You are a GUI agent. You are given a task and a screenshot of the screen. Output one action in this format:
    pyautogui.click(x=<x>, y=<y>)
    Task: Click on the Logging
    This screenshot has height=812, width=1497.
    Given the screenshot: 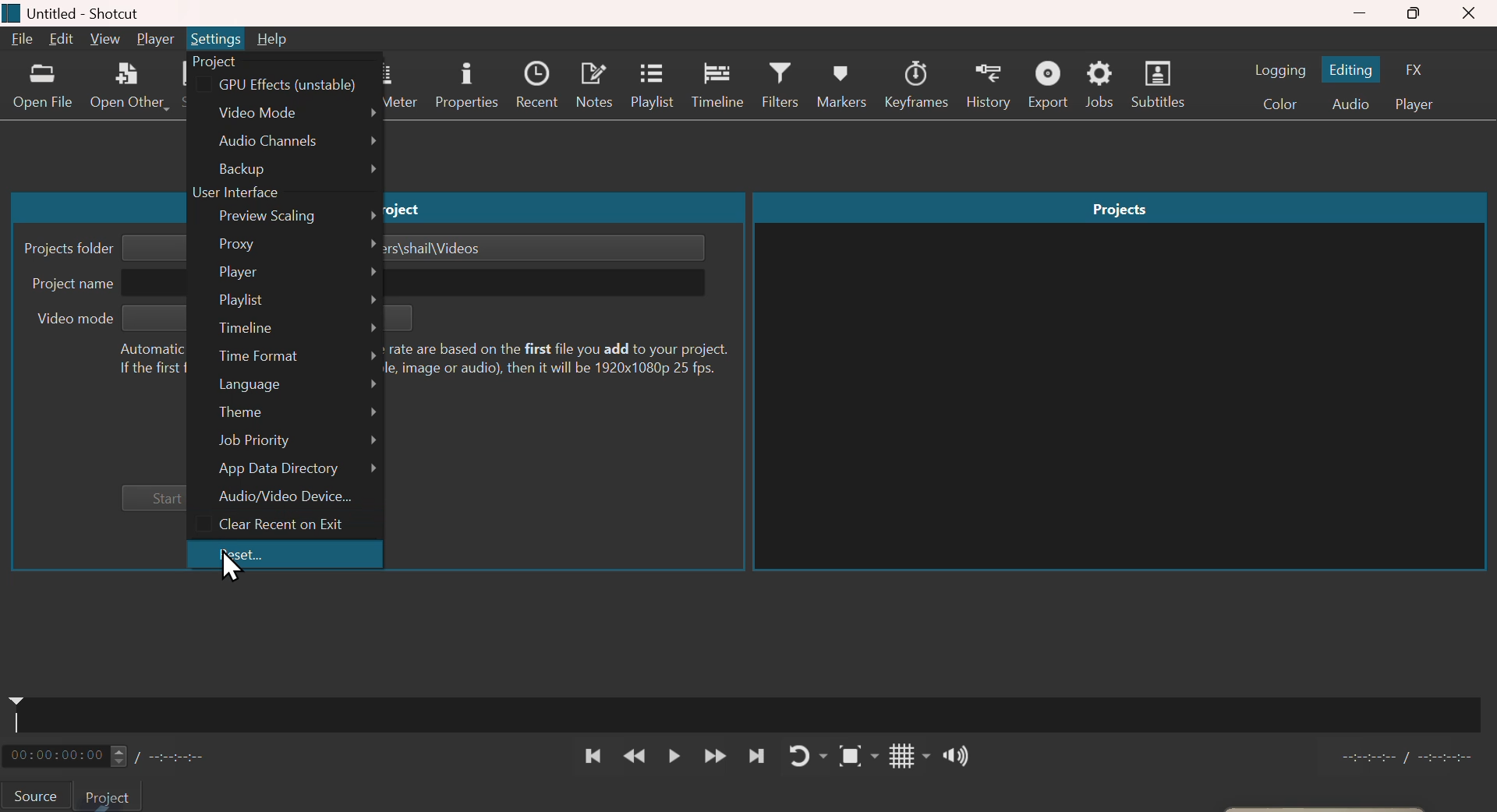 What is the action you would take?
    pyautogui.click(x=1279, y=69)
    